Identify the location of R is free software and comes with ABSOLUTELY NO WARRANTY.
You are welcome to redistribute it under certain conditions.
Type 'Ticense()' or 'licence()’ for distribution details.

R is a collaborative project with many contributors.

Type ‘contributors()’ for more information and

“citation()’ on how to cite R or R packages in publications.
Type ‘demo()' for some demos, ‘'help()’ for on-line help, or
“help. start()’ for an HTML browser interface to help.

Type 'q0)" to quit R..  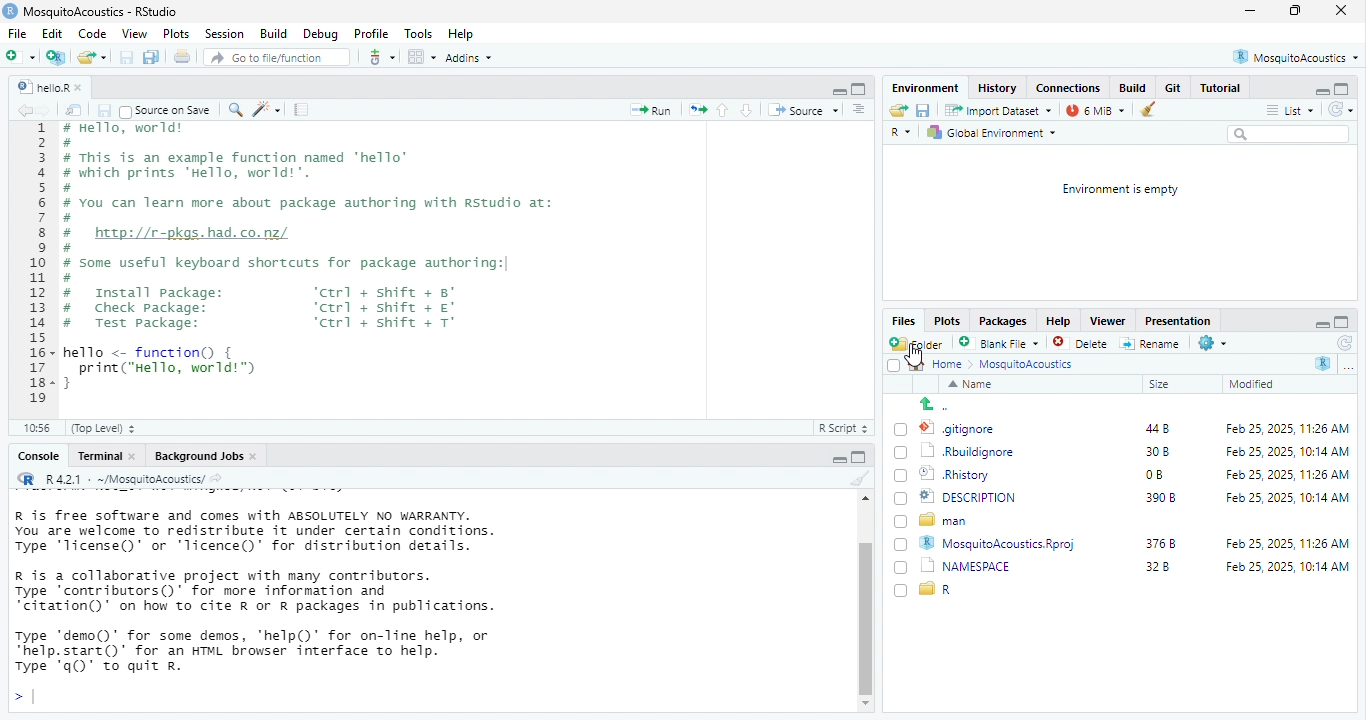
(293, 585).